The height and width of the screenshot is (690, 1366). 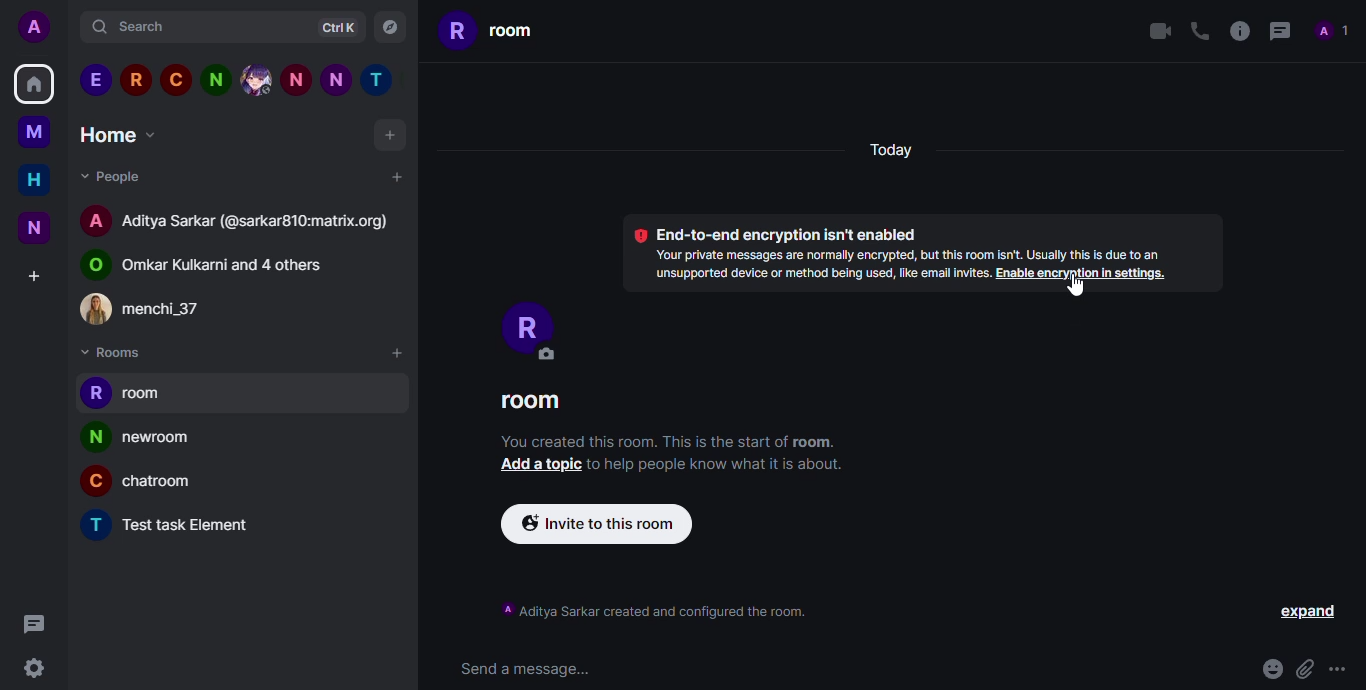 I want to click on profile, so click(x=91, y=266).